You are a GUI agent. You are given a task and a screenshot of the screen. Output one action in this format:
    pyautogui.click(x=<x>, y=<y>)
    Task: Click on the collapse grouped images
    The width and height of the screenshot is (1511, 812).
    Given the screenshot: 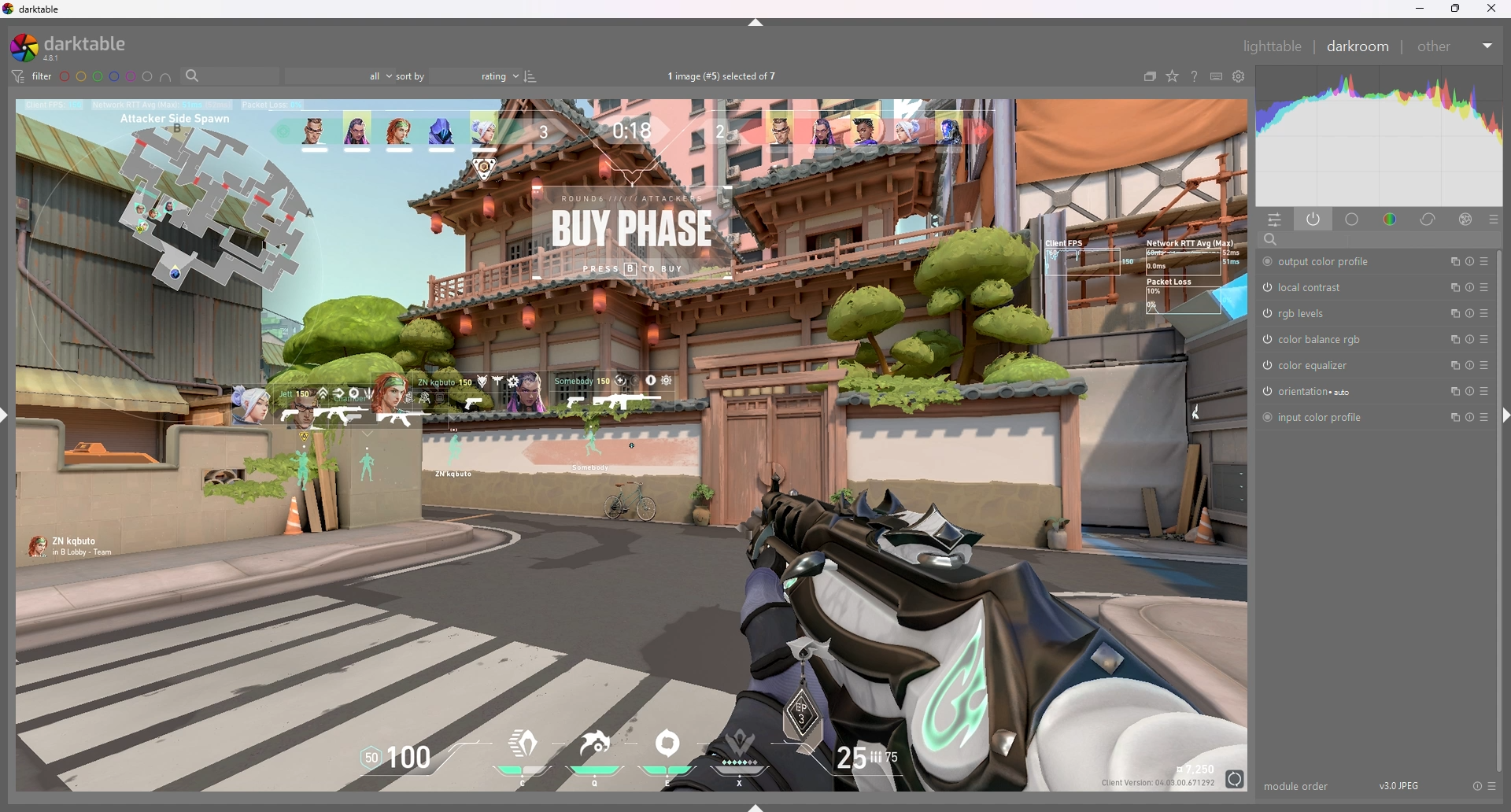 What is the action you would take?
    pyautogui.click(x=1150, y=76)
    